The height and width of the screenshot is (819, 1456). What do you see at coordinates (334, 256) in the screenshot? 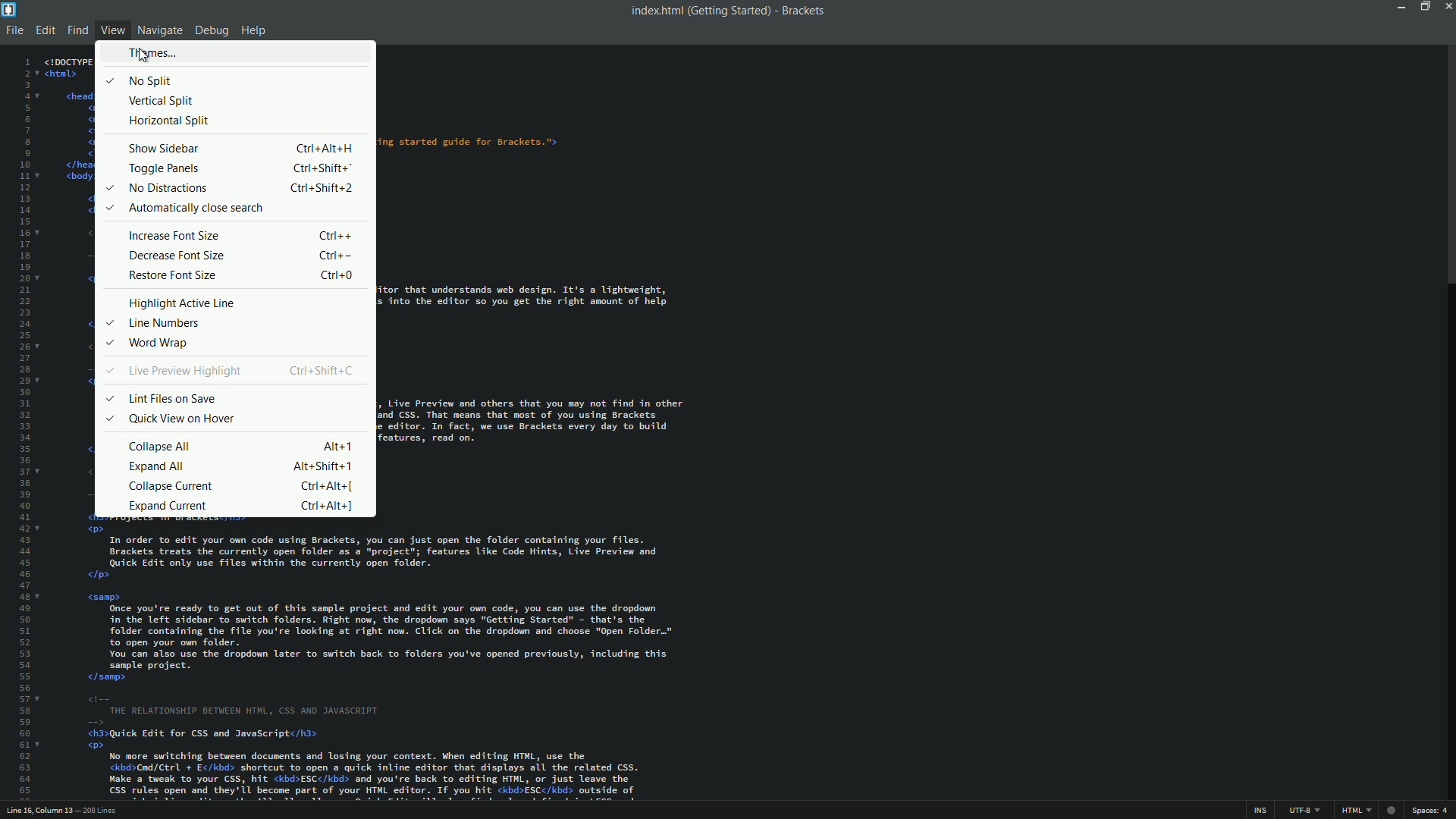
I see `keyboard shortcut` at bounding box center [334, 256].